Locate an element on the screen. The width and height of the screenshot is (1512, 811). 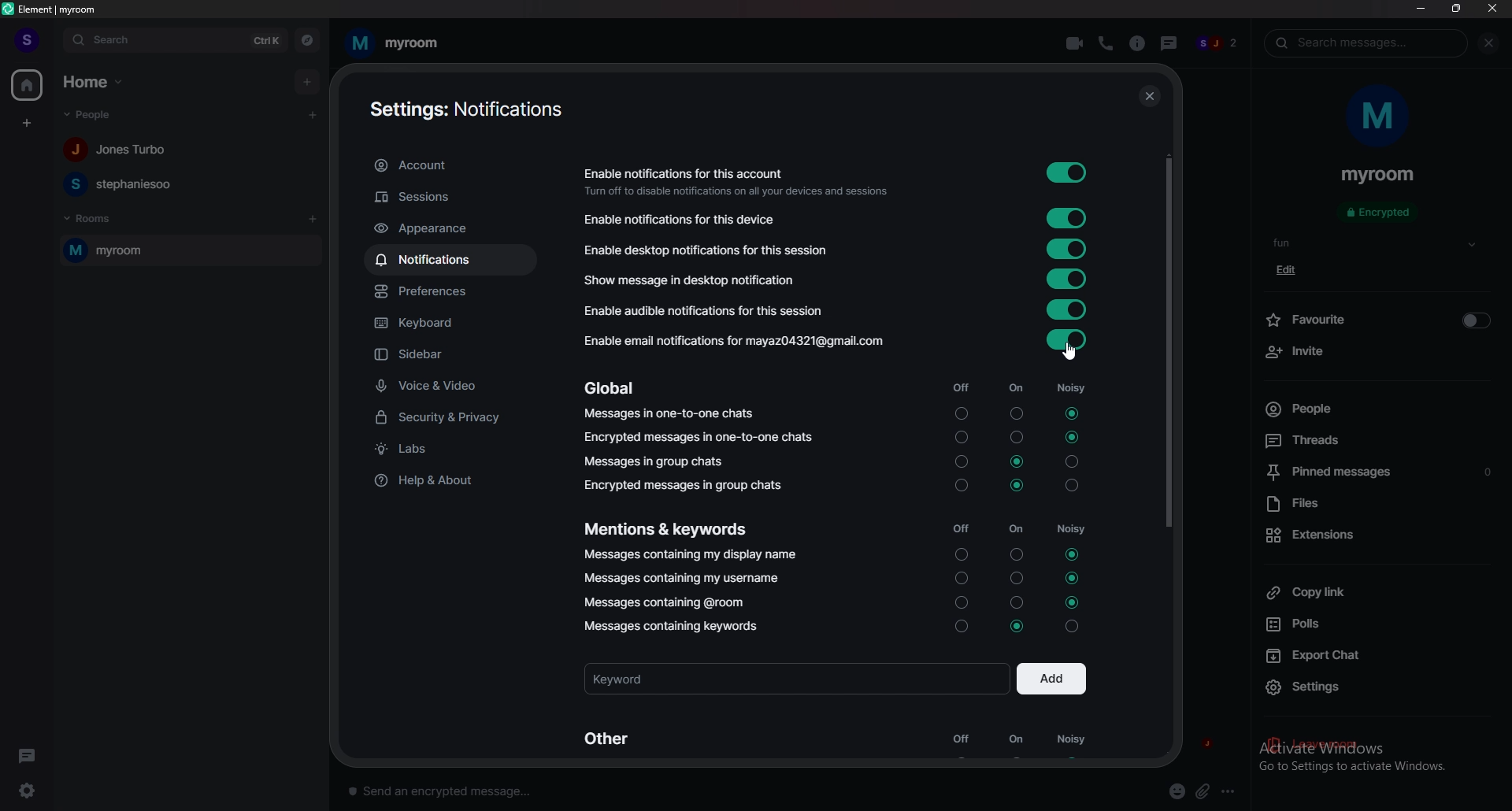
off is located at coordinates (961, 742).